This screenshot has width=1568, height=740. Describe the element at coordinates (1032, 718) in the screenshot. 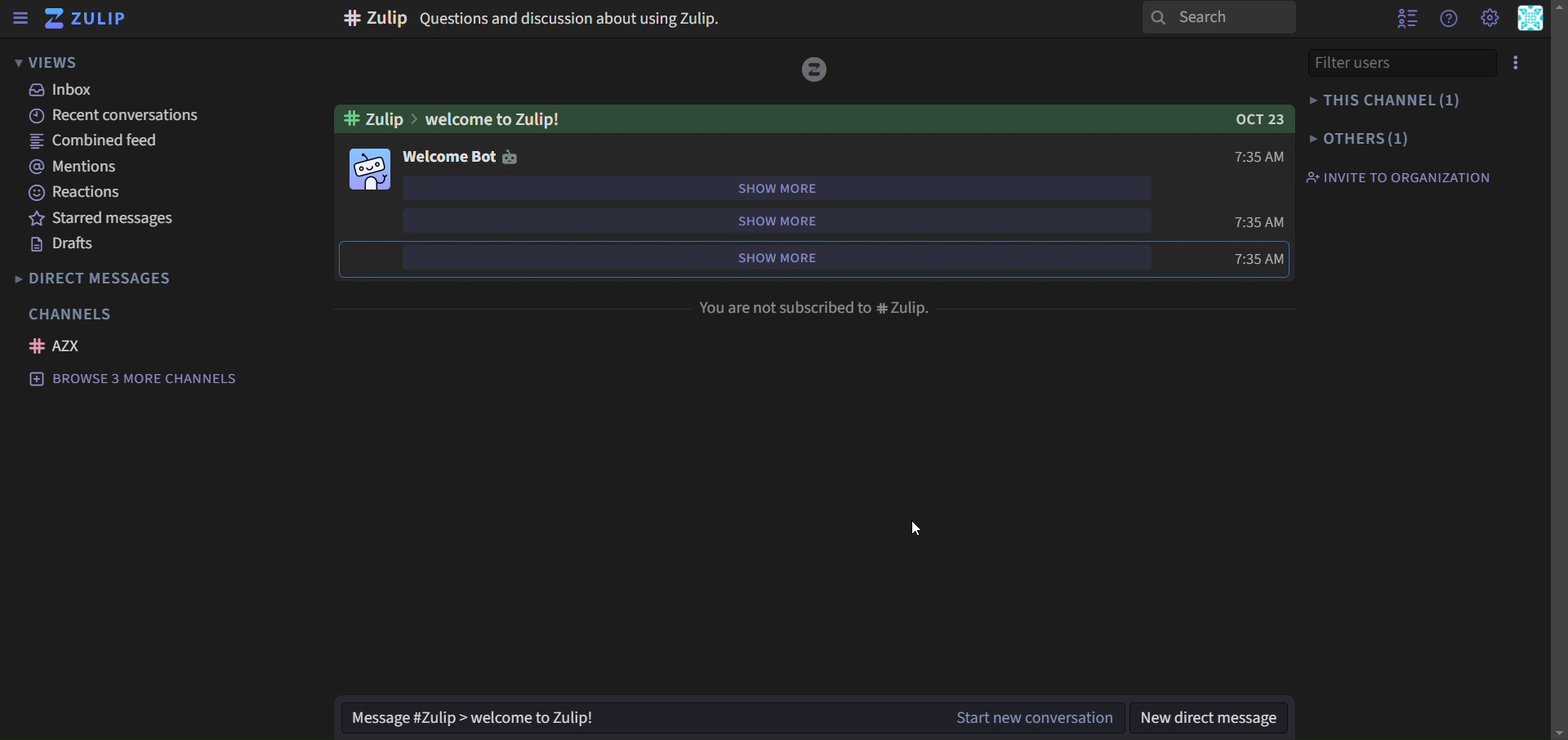

I see `tart new coversation` at that location.